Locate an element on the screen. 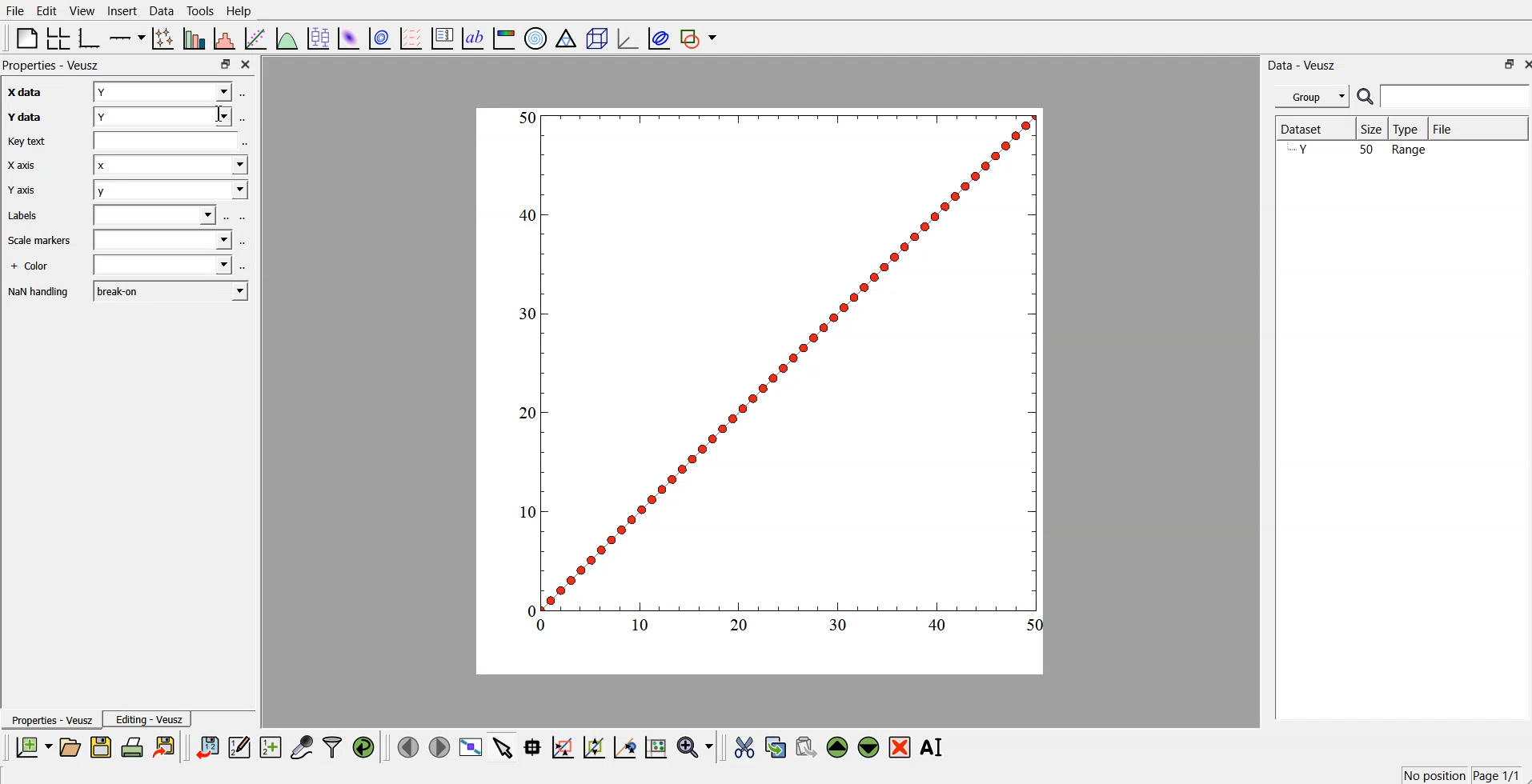  read the data points is located at coordinates (535, 749).